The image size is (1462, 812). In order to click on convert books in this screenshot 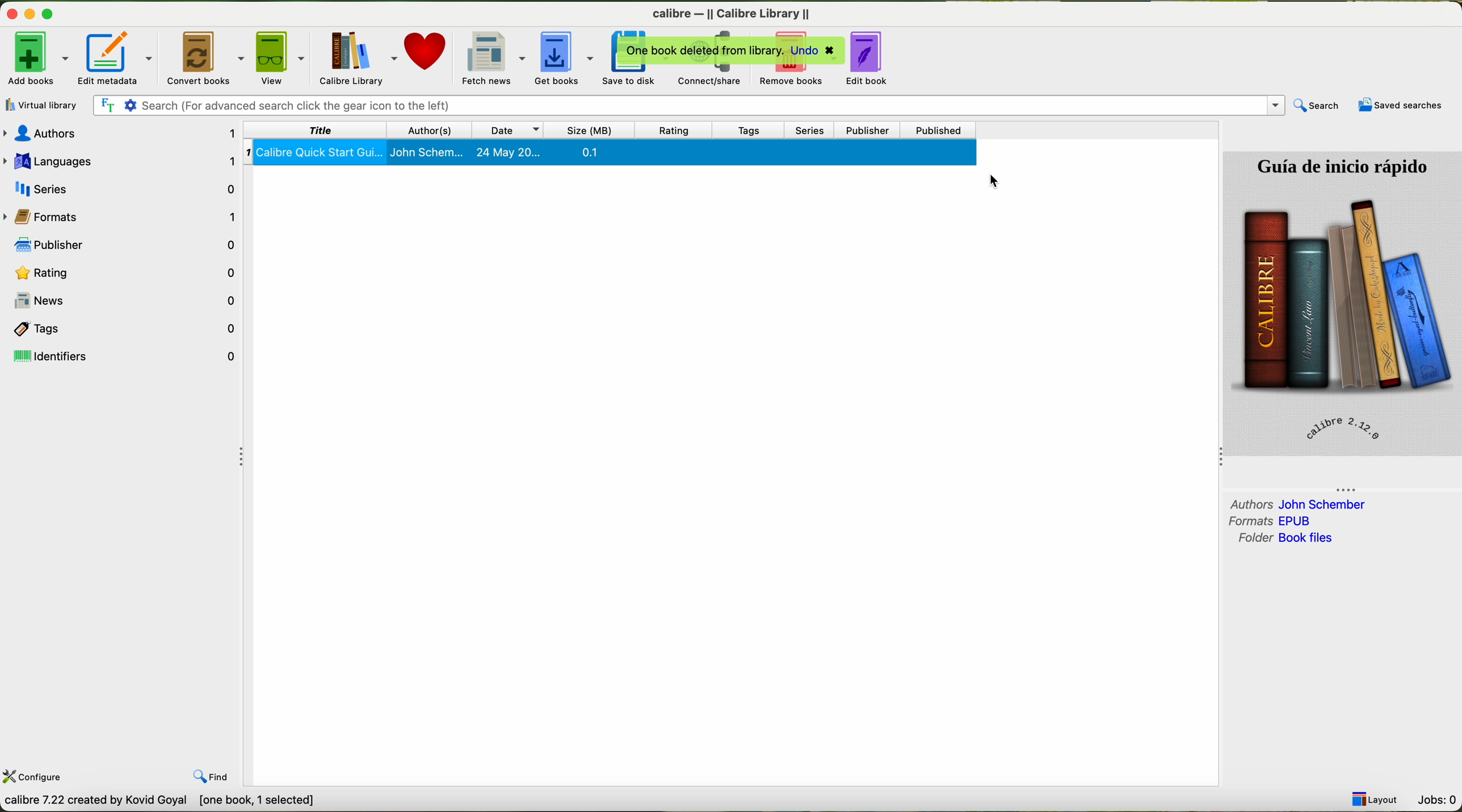, I will do `click(204, 57)`.